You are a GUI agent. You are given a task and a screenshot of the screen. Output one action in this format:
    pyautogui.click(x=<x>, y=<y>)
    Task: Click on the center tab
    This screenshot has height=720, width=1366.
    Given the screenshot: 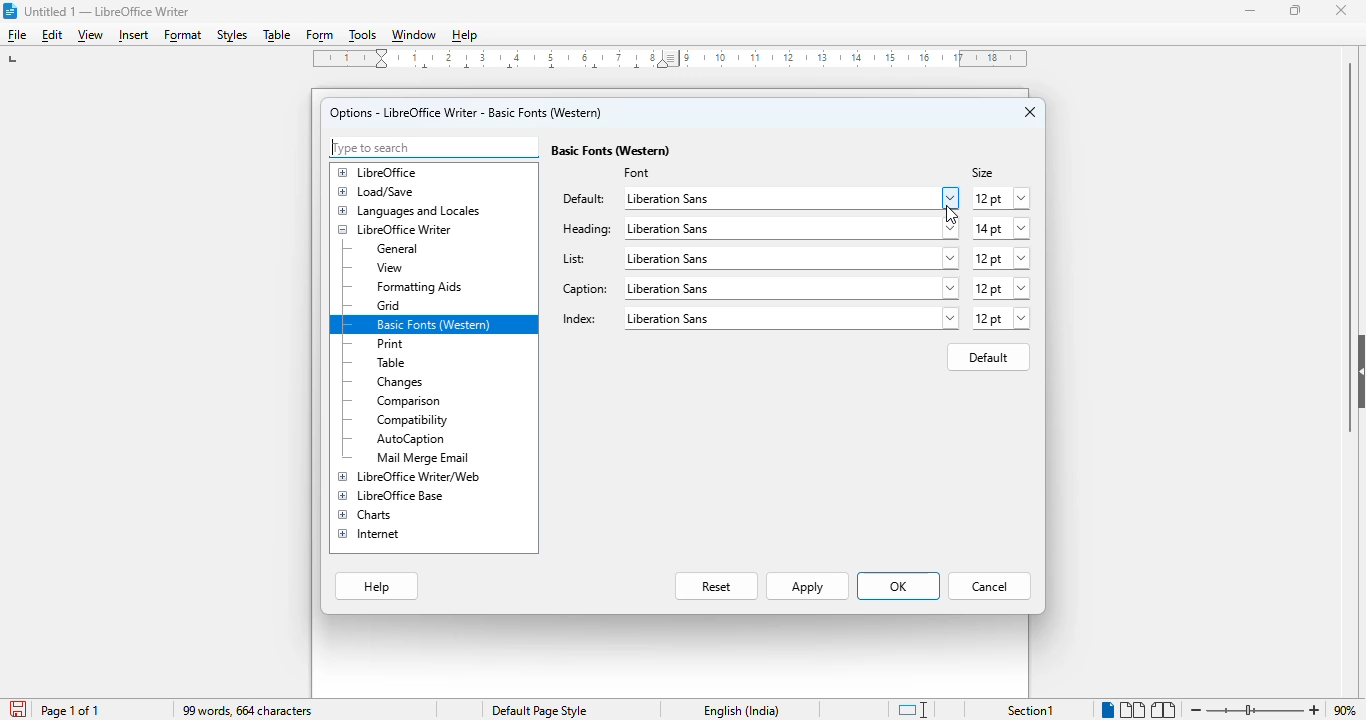 What is the action you would take?
    pyautogui.click(x=513, y=71)
    